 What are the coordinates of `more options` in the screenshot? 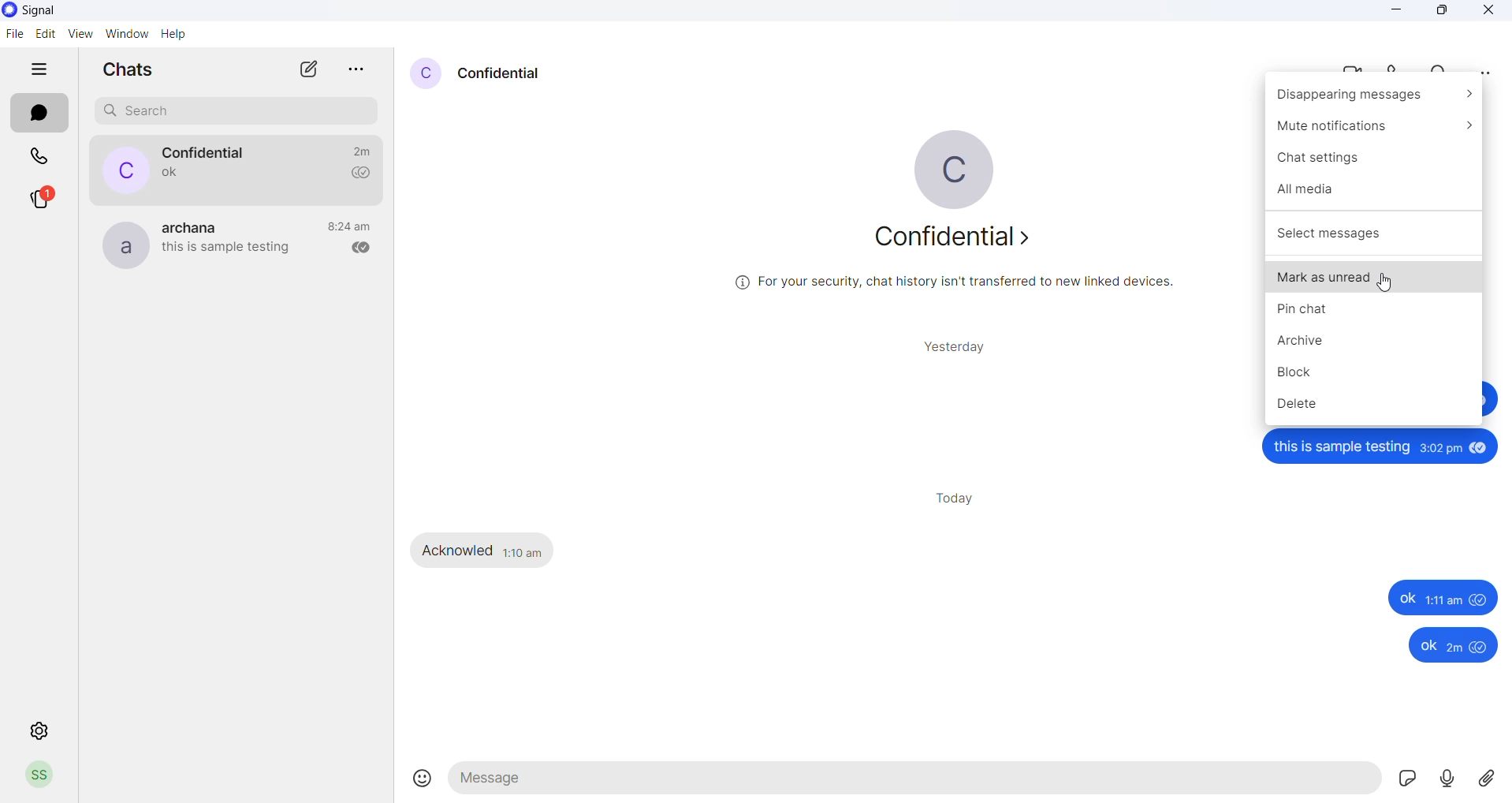 It's located at (350, 70).